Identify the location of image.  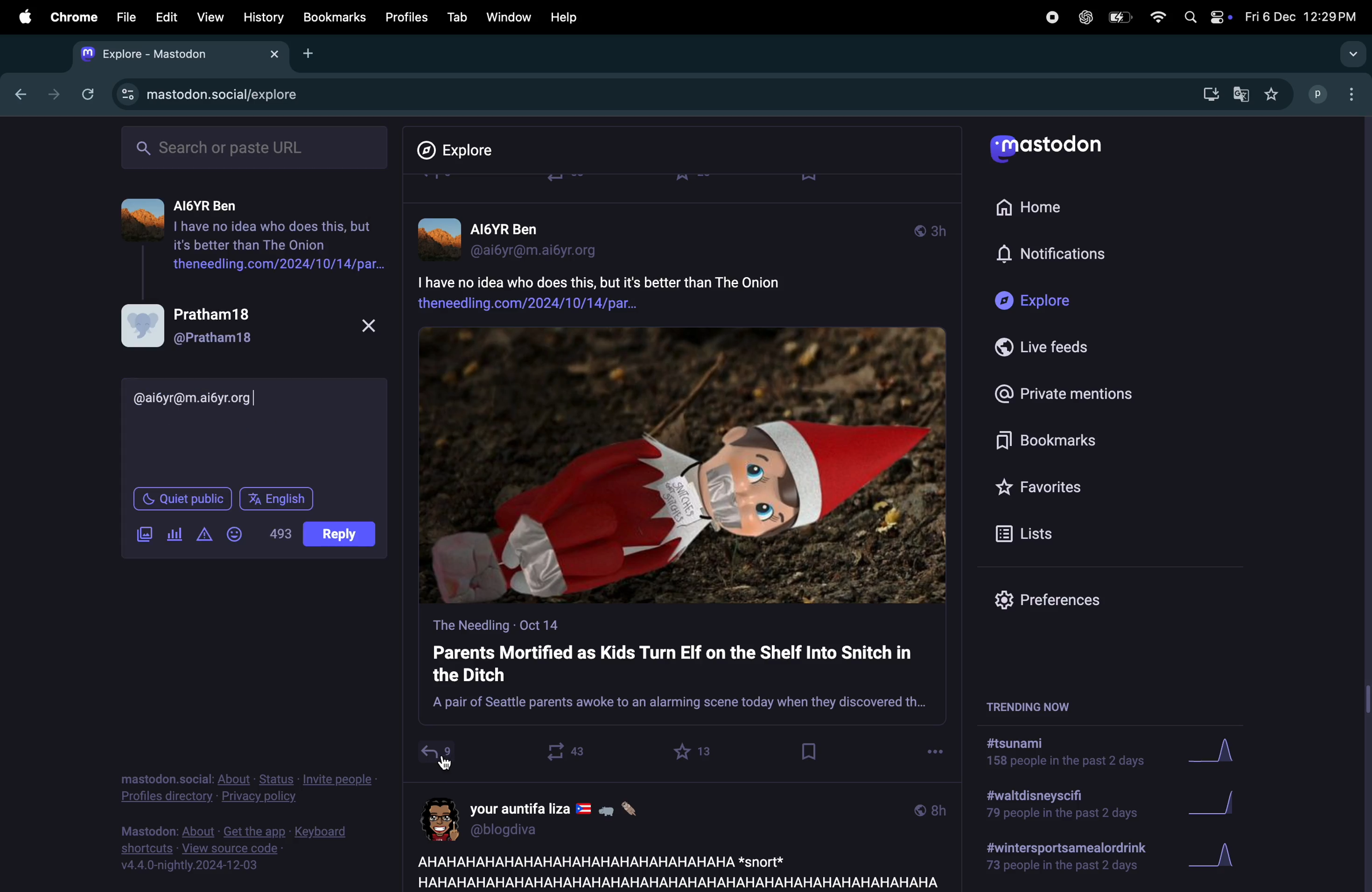
(683, 466).